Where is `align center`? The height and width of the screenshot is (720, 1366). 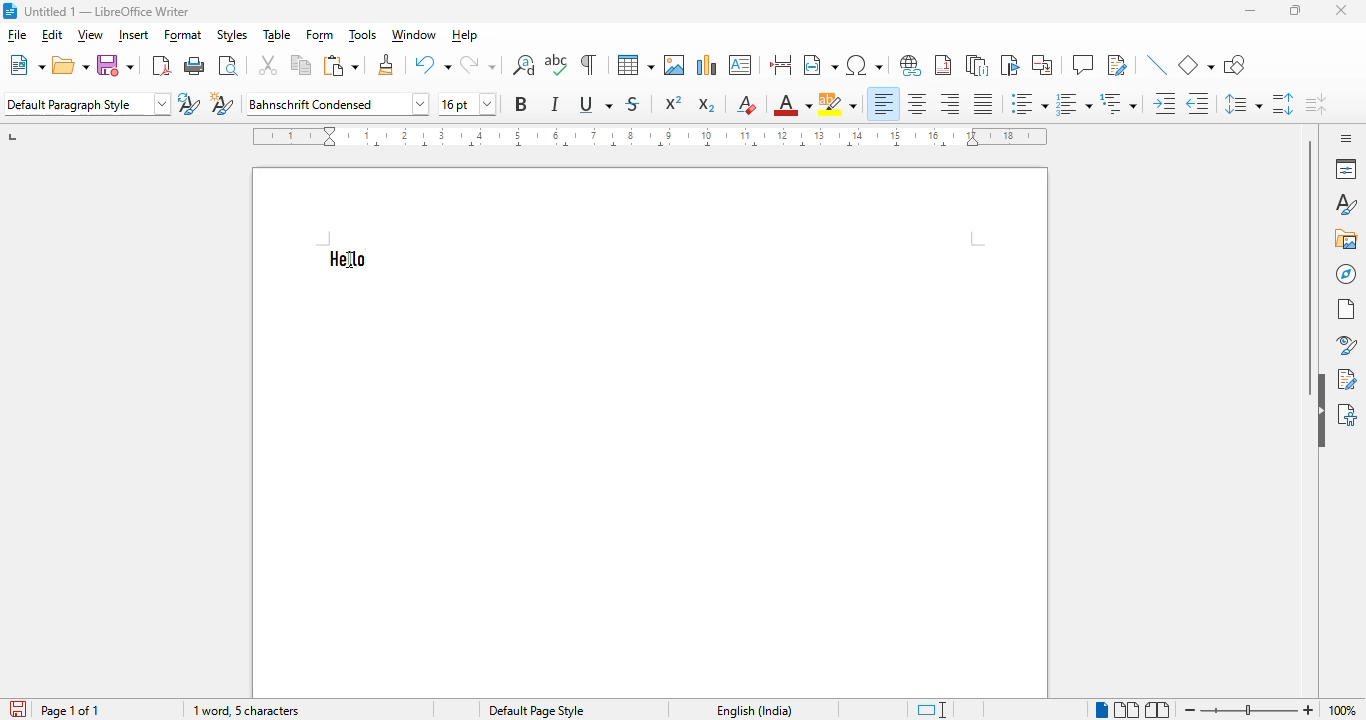 align center is located at coordinates (917, 103).